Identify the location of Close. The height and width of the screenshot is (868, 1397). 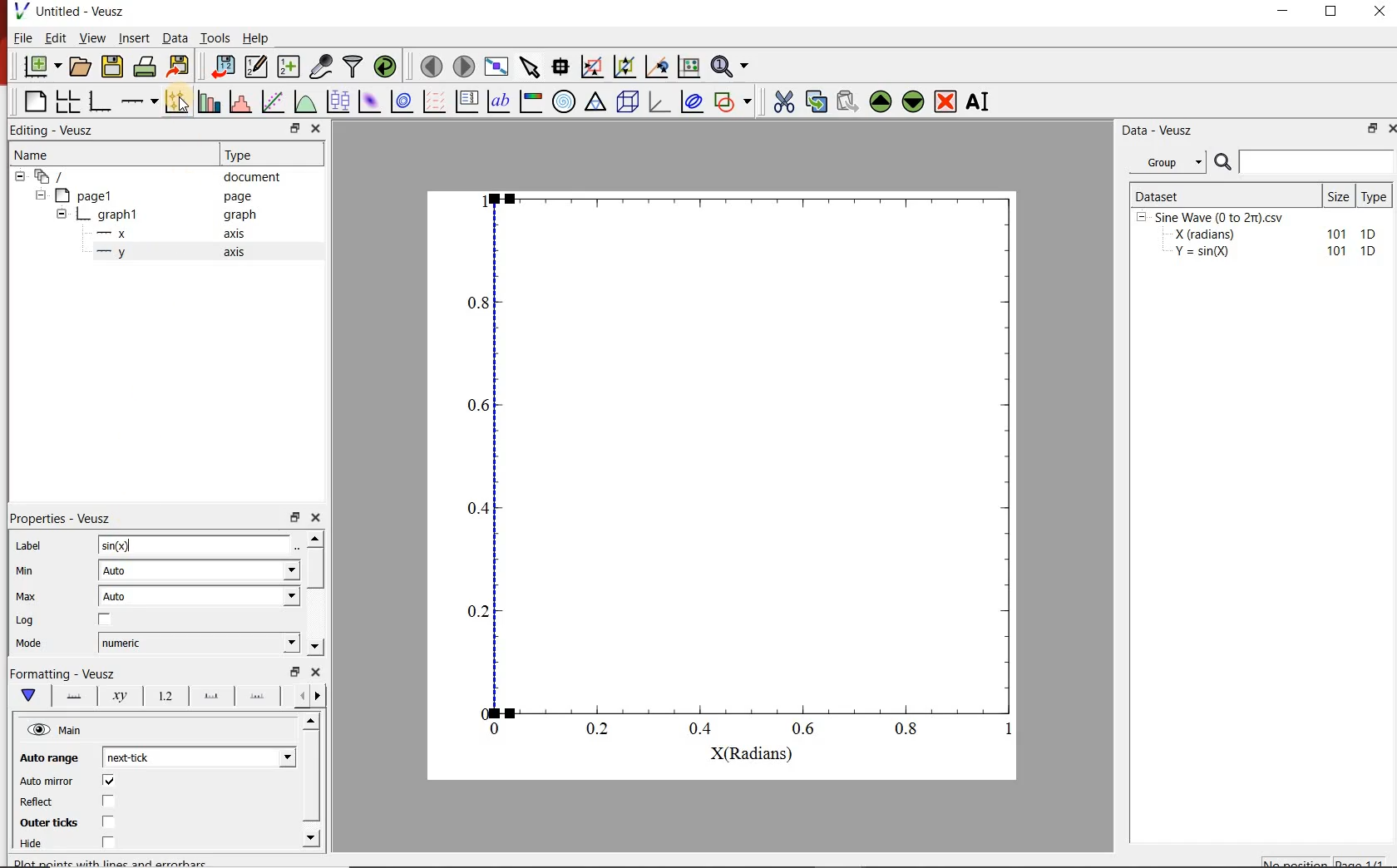
(316, 130).